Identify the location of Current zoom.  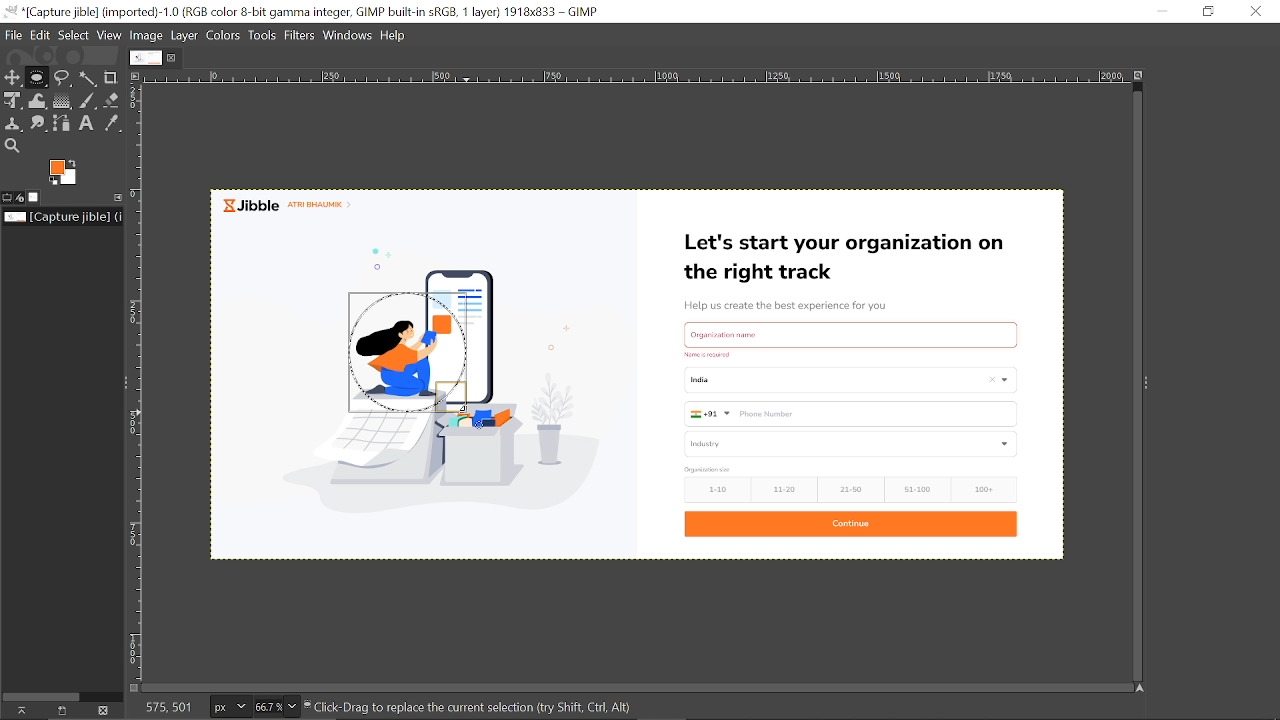
(266, 707).